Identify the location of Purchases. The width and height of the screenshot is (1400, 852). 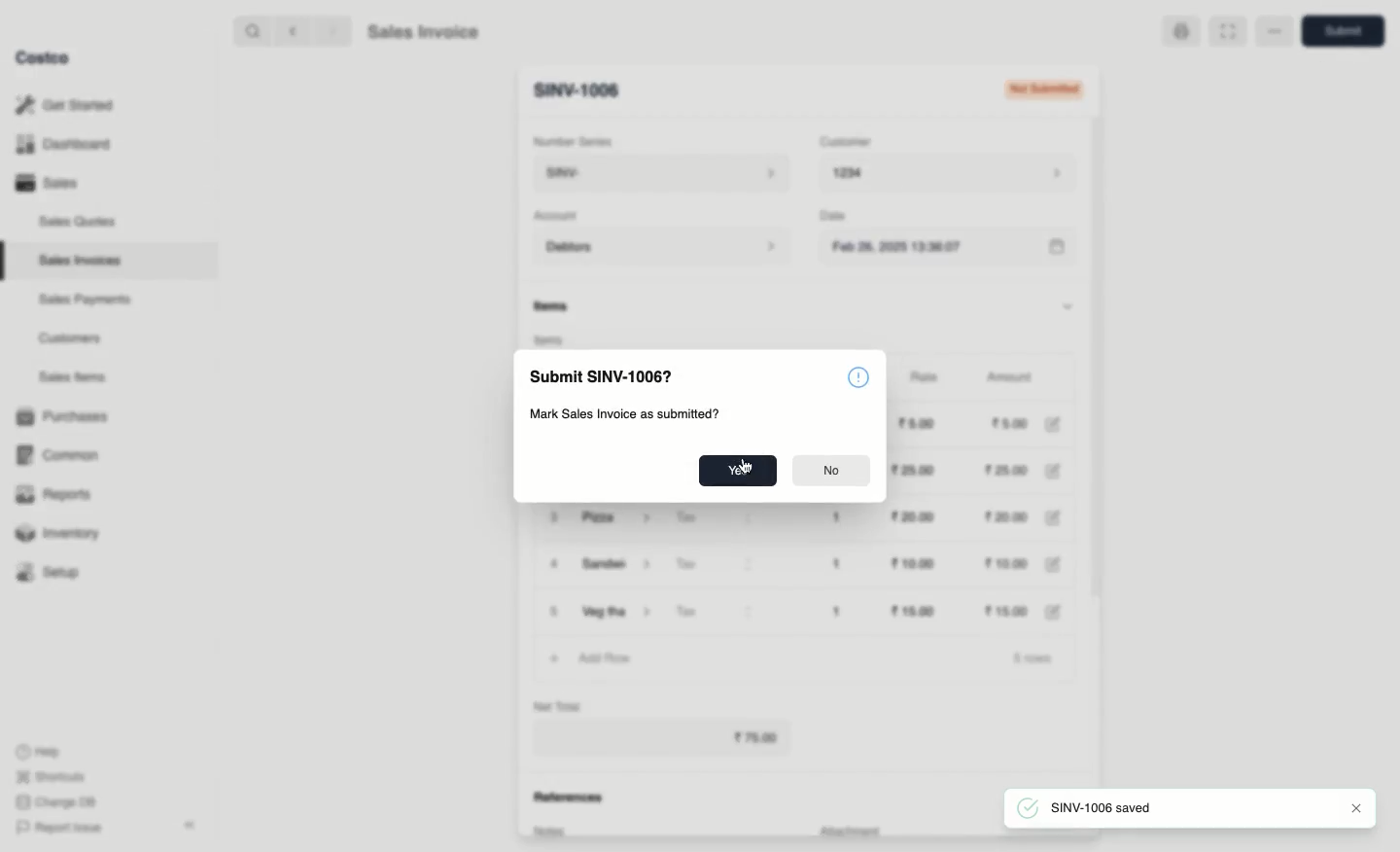
(67, 416).